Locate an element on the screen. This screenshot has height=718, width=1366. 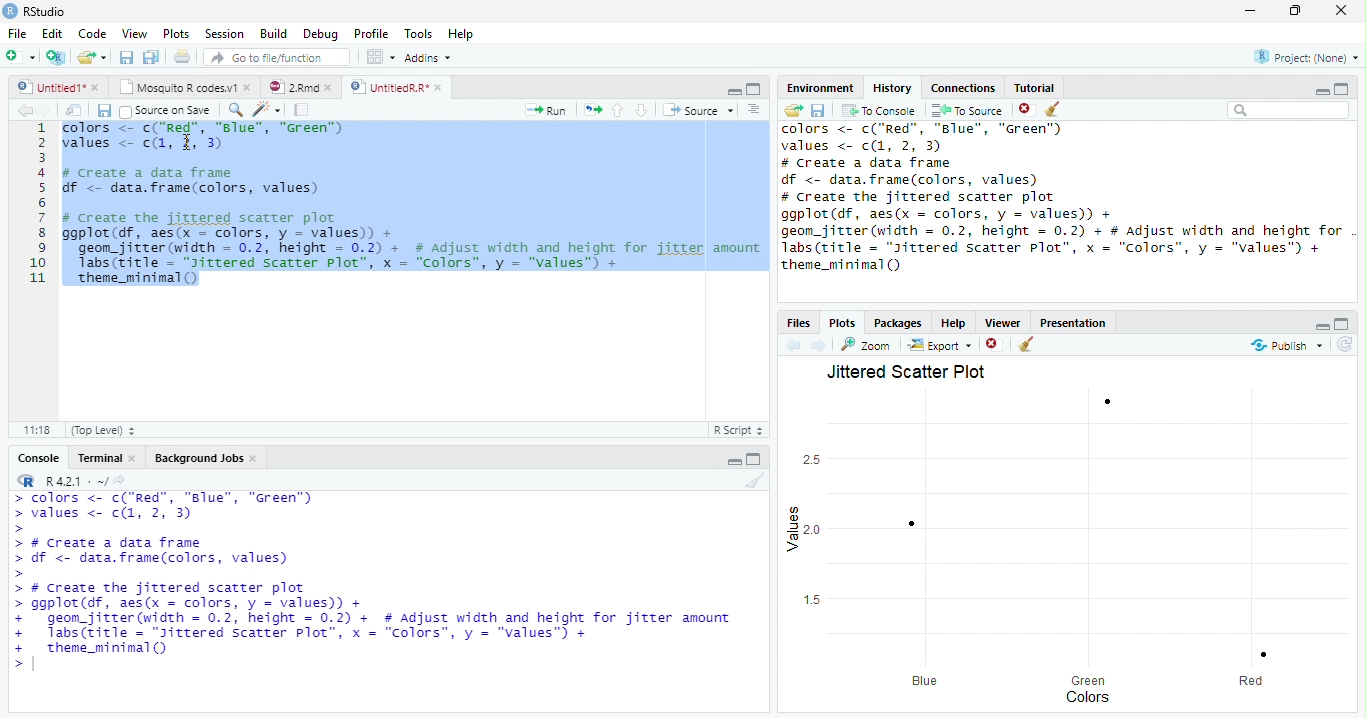
Tools is located at coordinates (418, 33).